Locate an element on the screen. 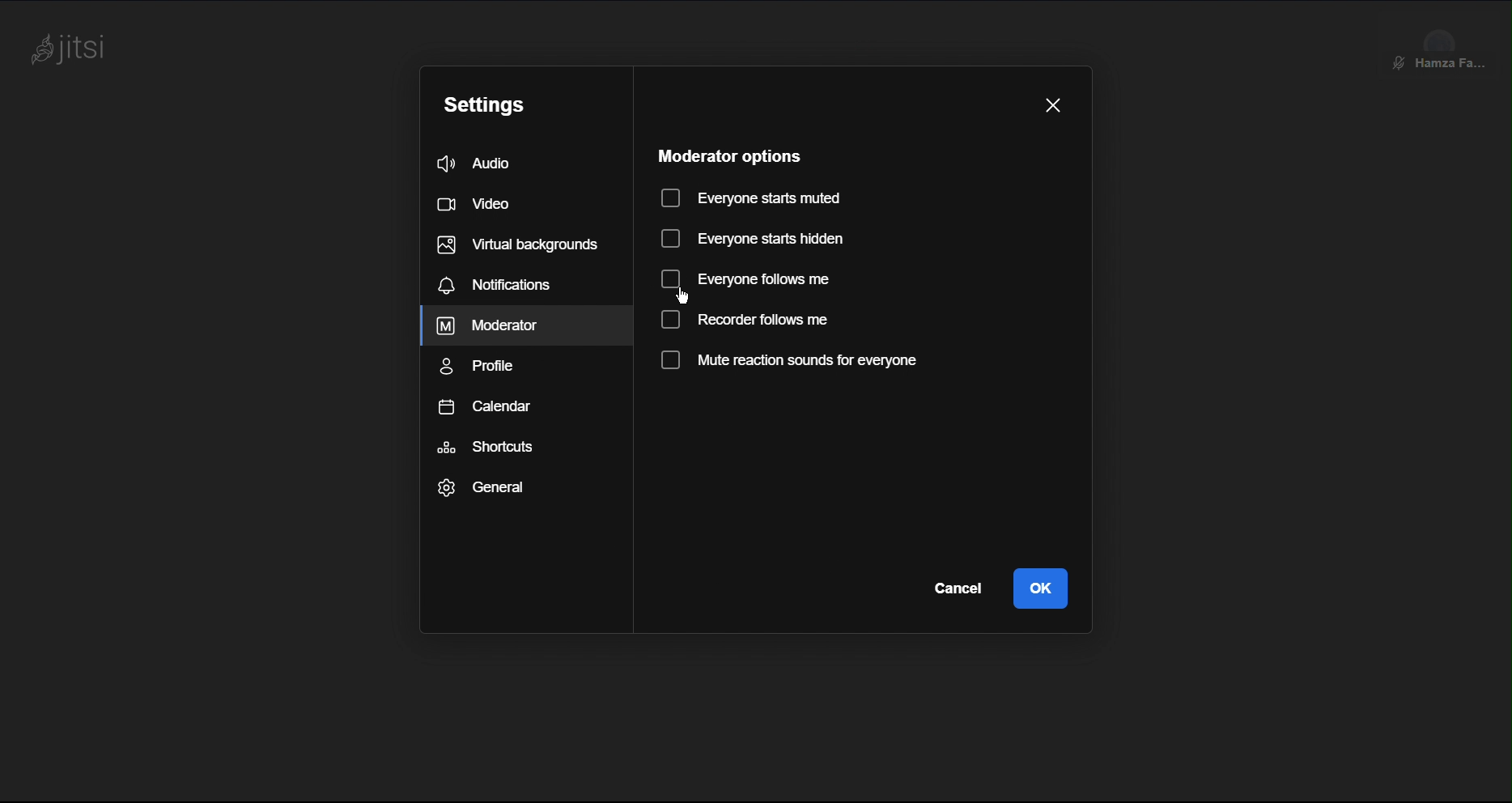  Shortcuts is located at coordinates (487, 447).